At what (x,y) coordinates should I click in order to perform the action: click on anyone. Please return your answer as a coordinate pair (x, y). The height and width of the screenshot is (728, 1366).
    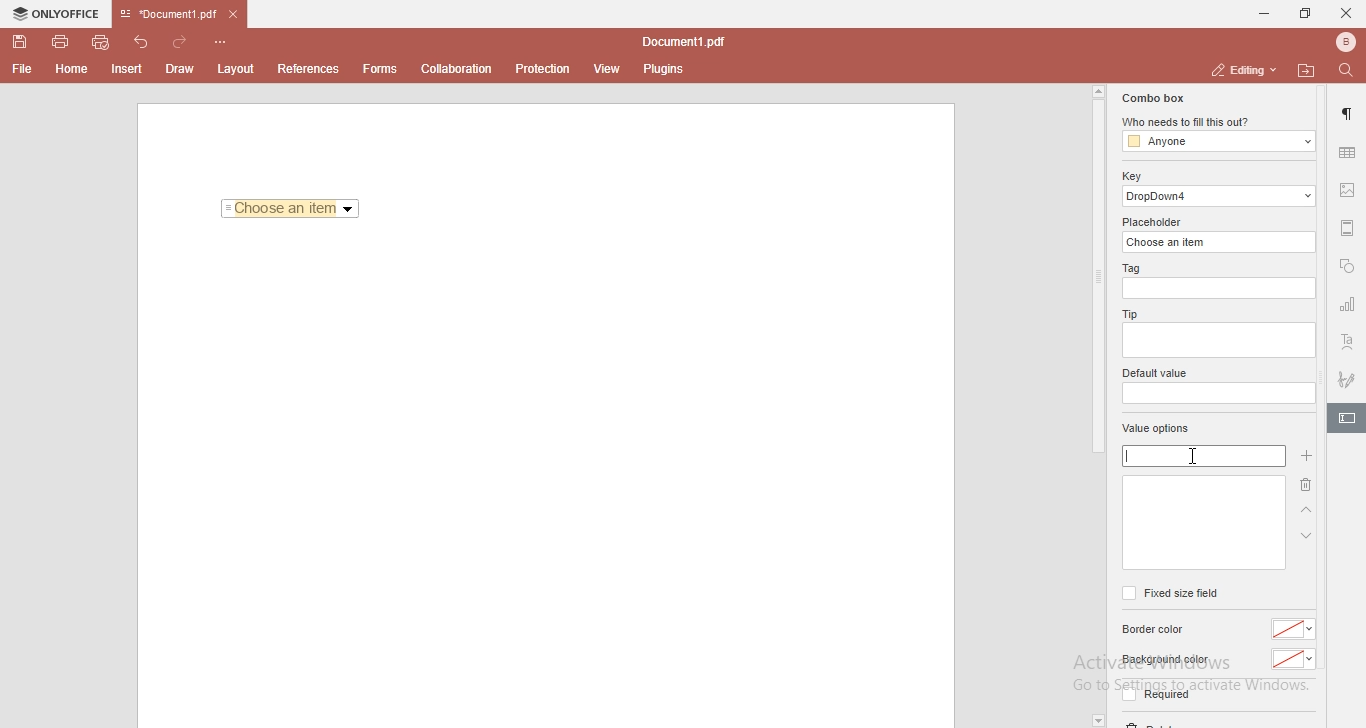
    Looking at the image, I should click on (1217, 142).